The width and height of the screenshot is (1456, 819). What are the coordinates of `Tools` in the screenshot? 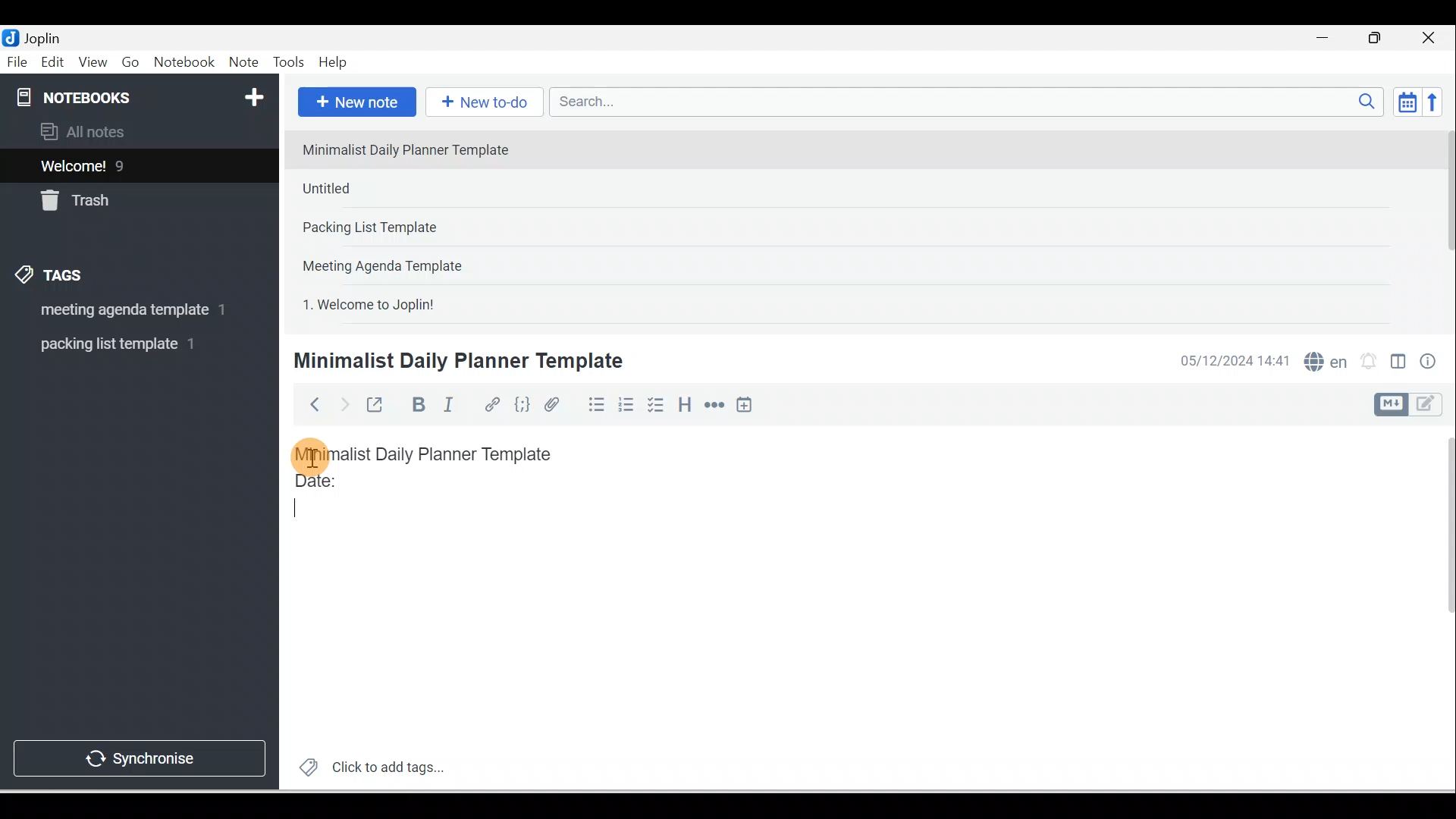 It's located at (288, 62).